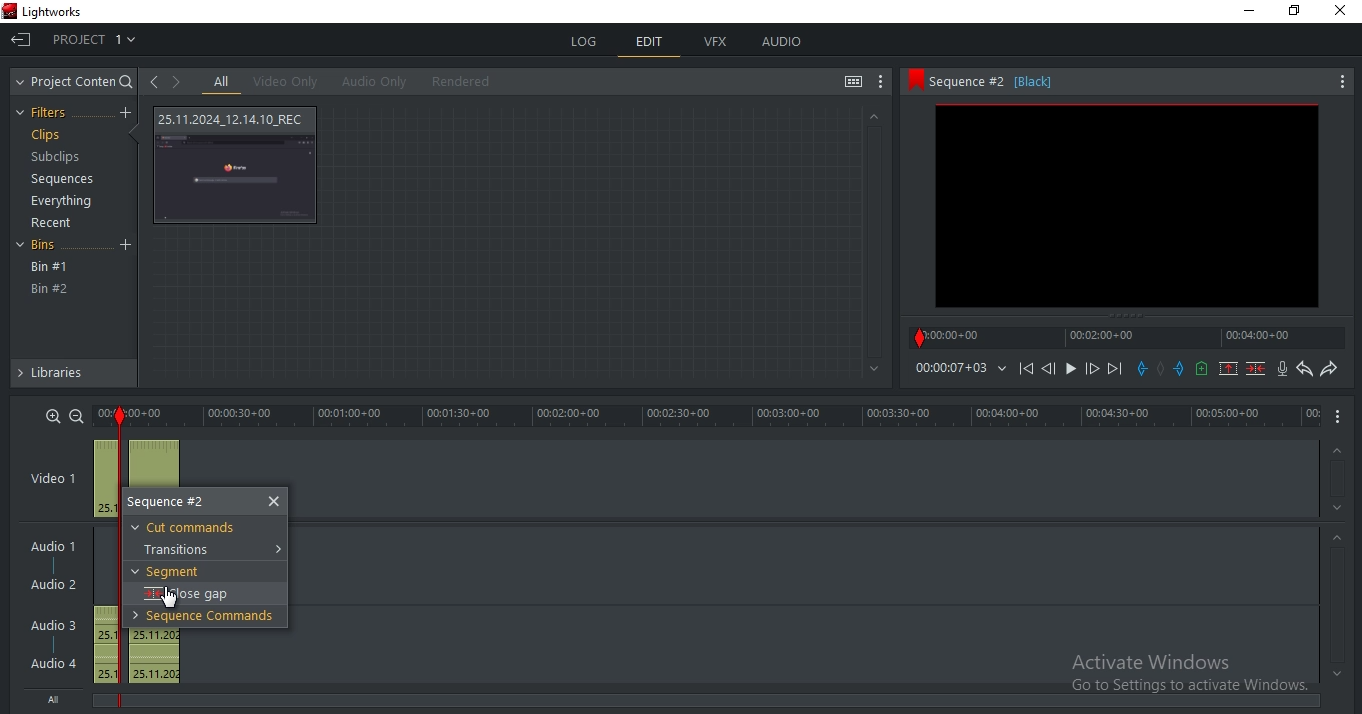 The width and height of the screenshot is (1362, 714). I want to click on Bottom, so click(871, 369).